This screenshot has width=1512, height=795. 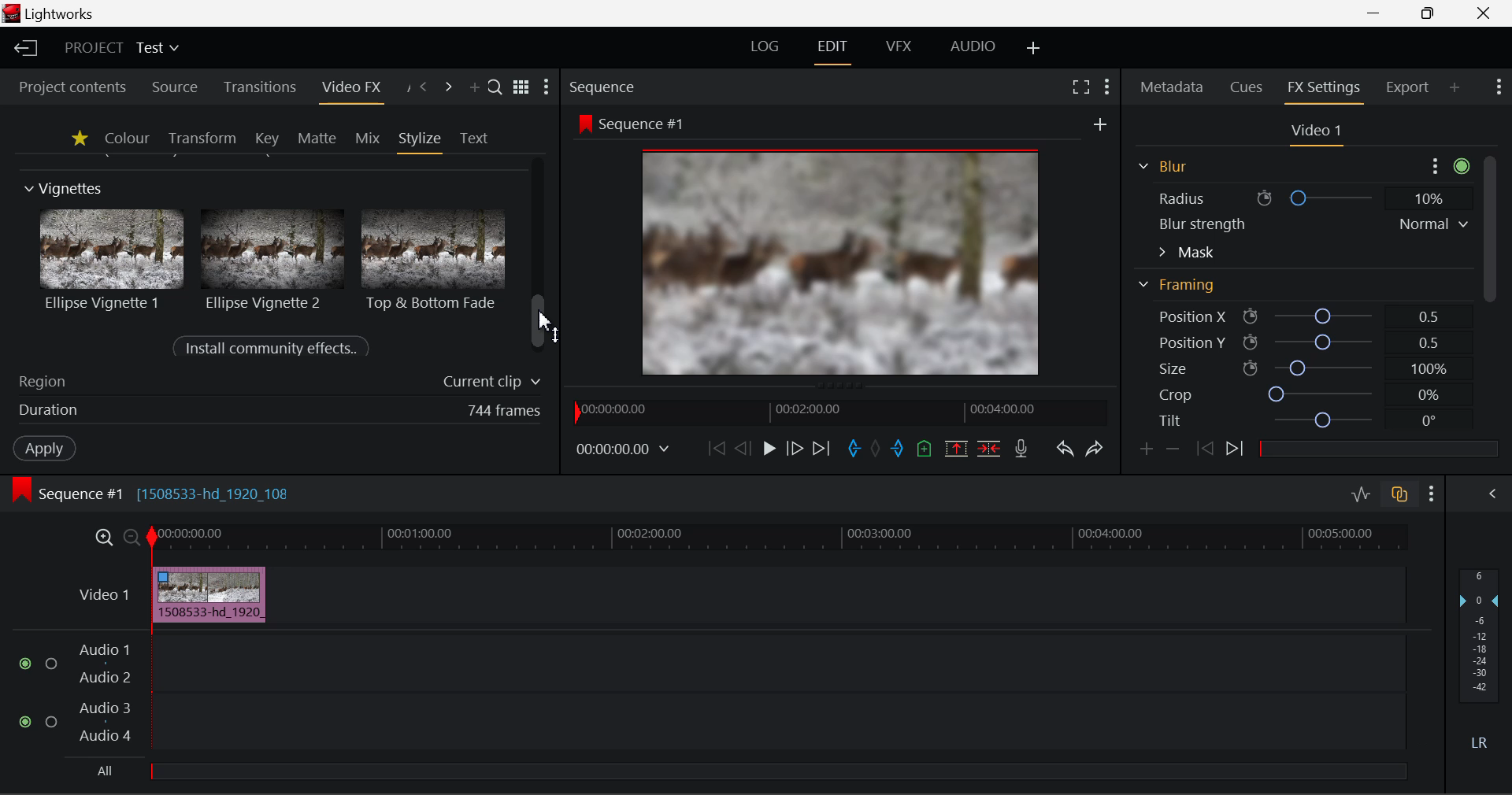 What do you see at coordinates (1488, 250) in the screenshot?
I see `Scroll Bar` at bounding box center [1488, 250].